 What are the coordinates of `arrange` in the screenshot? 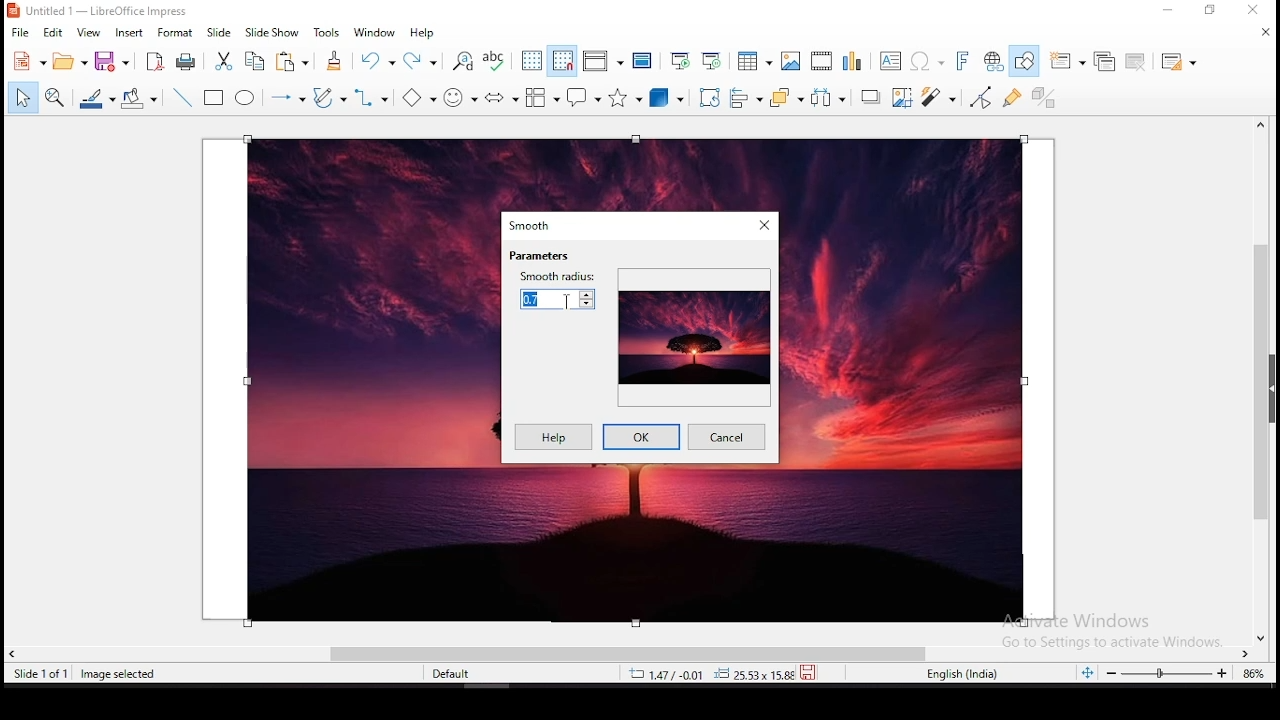 It's located at (785, 98).